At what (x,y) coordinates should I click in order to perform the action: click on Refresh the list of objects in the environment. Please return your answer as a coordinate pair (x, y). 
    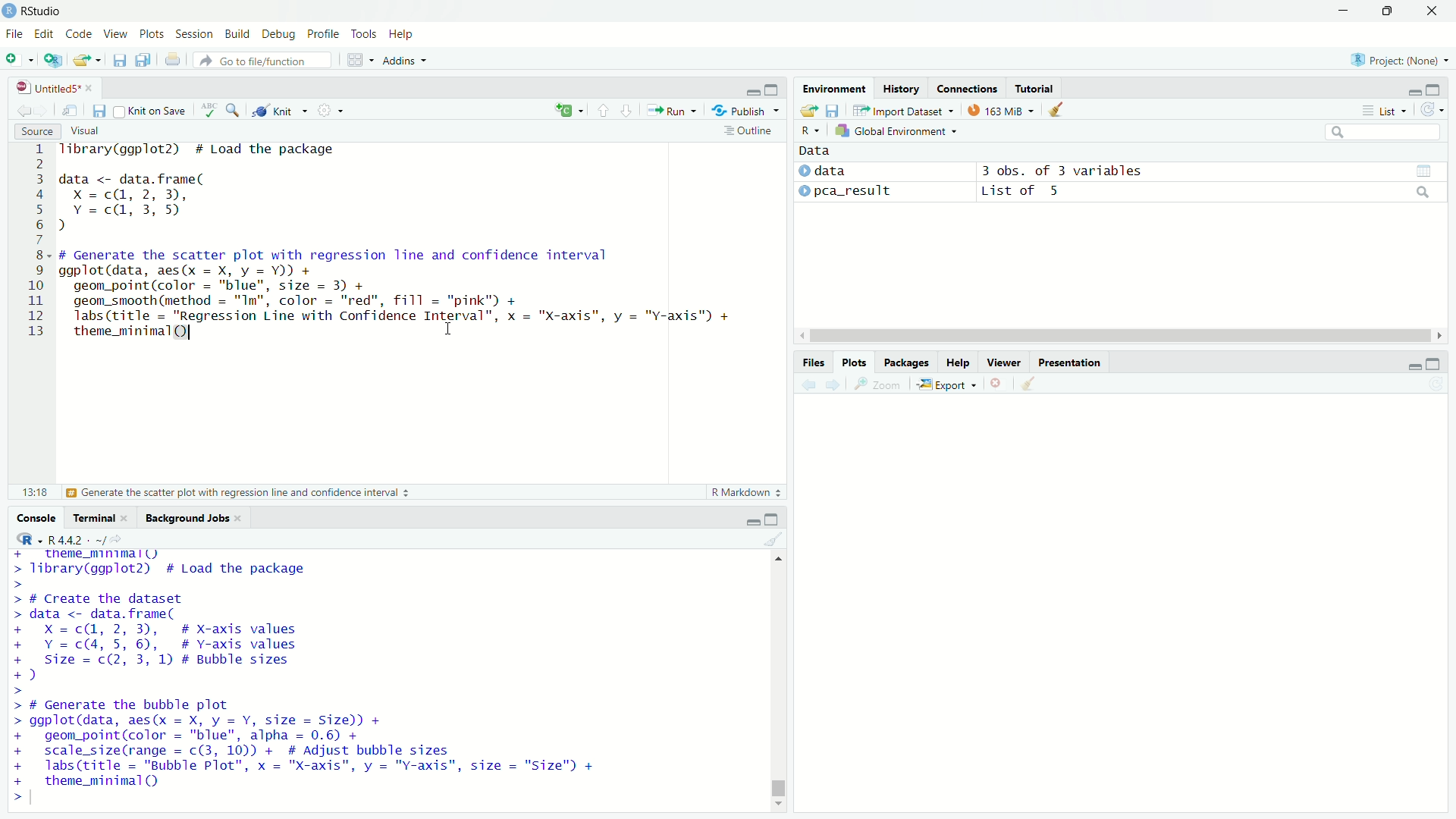
    Looking at the image, I should click on (1431, 110).